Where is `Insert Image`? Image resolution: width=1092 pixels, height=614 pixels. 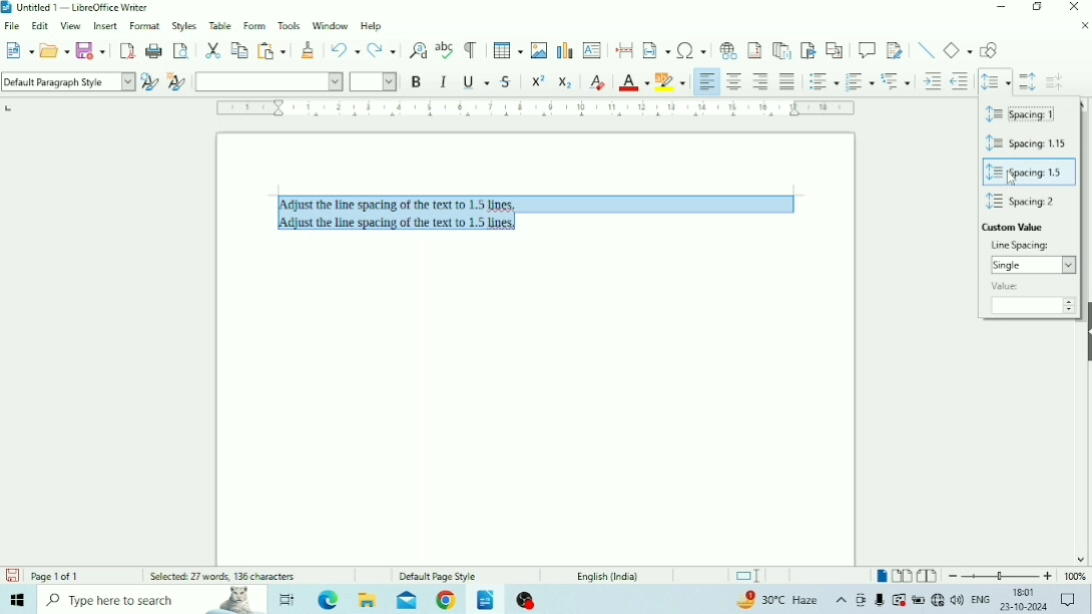
Insert Image is located at coordinates (539, 48).